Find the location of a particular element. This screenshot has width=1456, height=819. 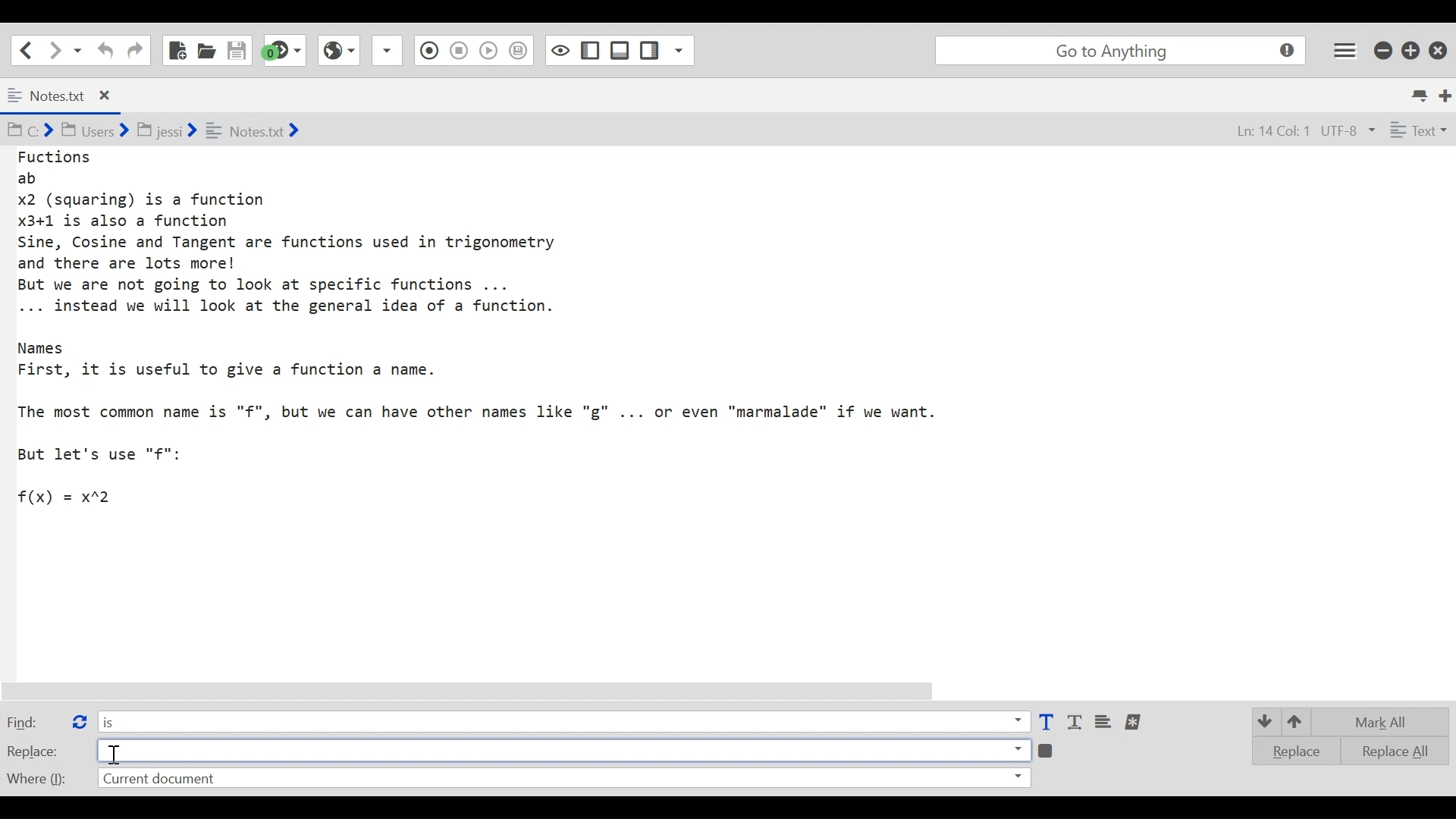

Toggle Focus mode is located at coordinates (520, 51).